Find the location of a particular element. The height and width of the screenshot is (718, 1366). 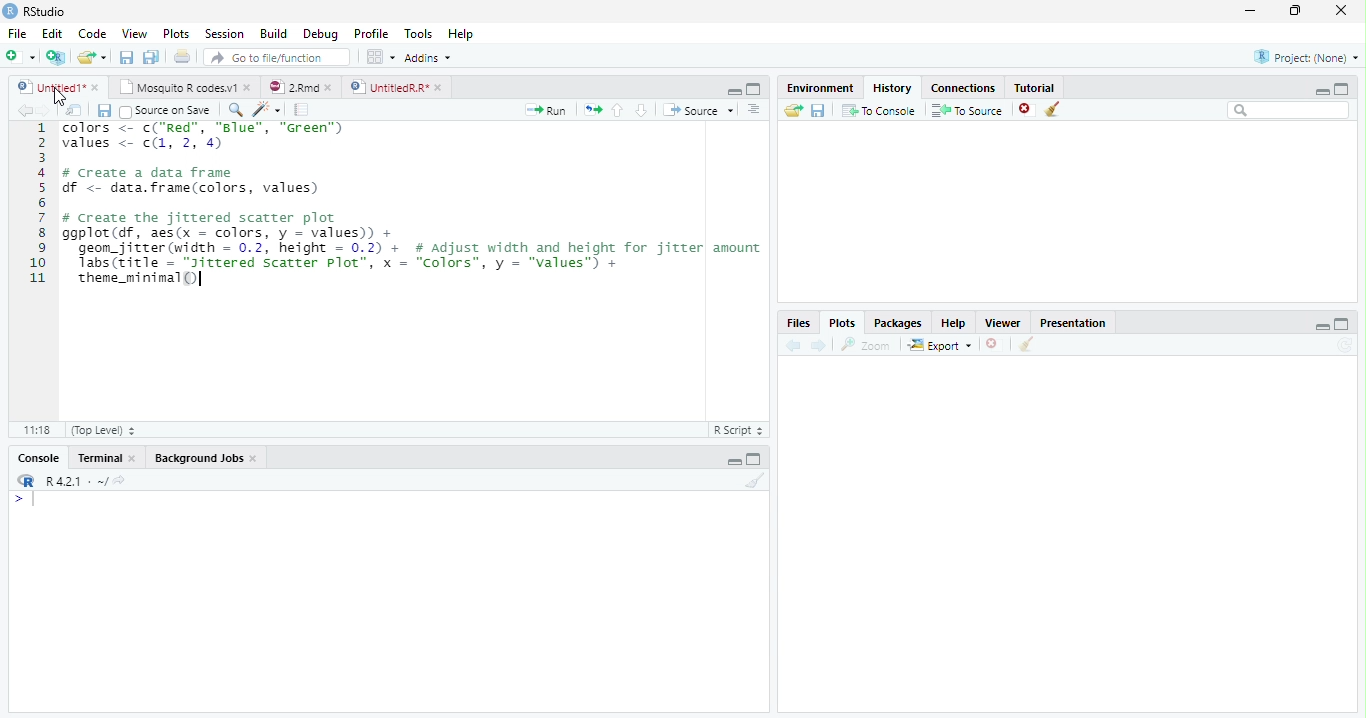

Clear all history entries is located at coordinates (1055, 109).